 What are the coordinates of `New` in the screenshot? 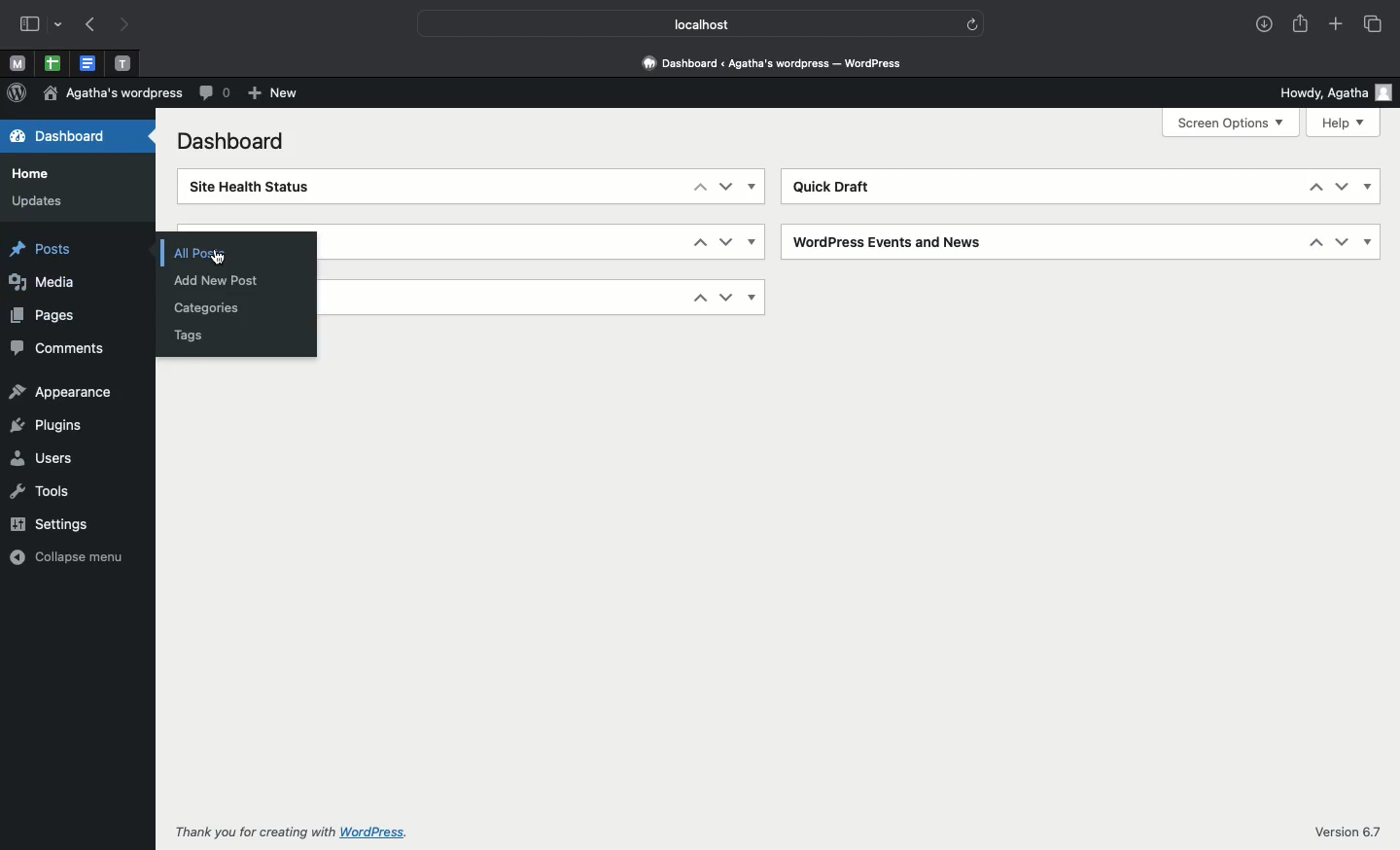 It's located at (273, 93).